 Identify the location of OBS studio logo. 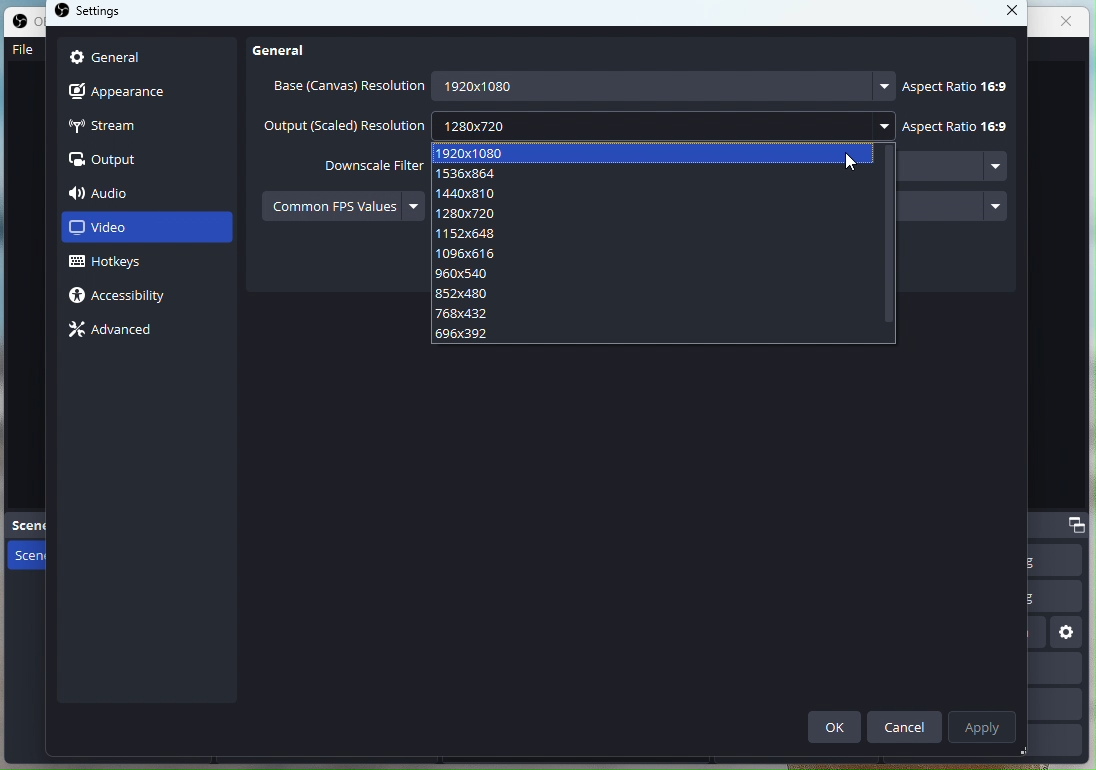
(63, 13).